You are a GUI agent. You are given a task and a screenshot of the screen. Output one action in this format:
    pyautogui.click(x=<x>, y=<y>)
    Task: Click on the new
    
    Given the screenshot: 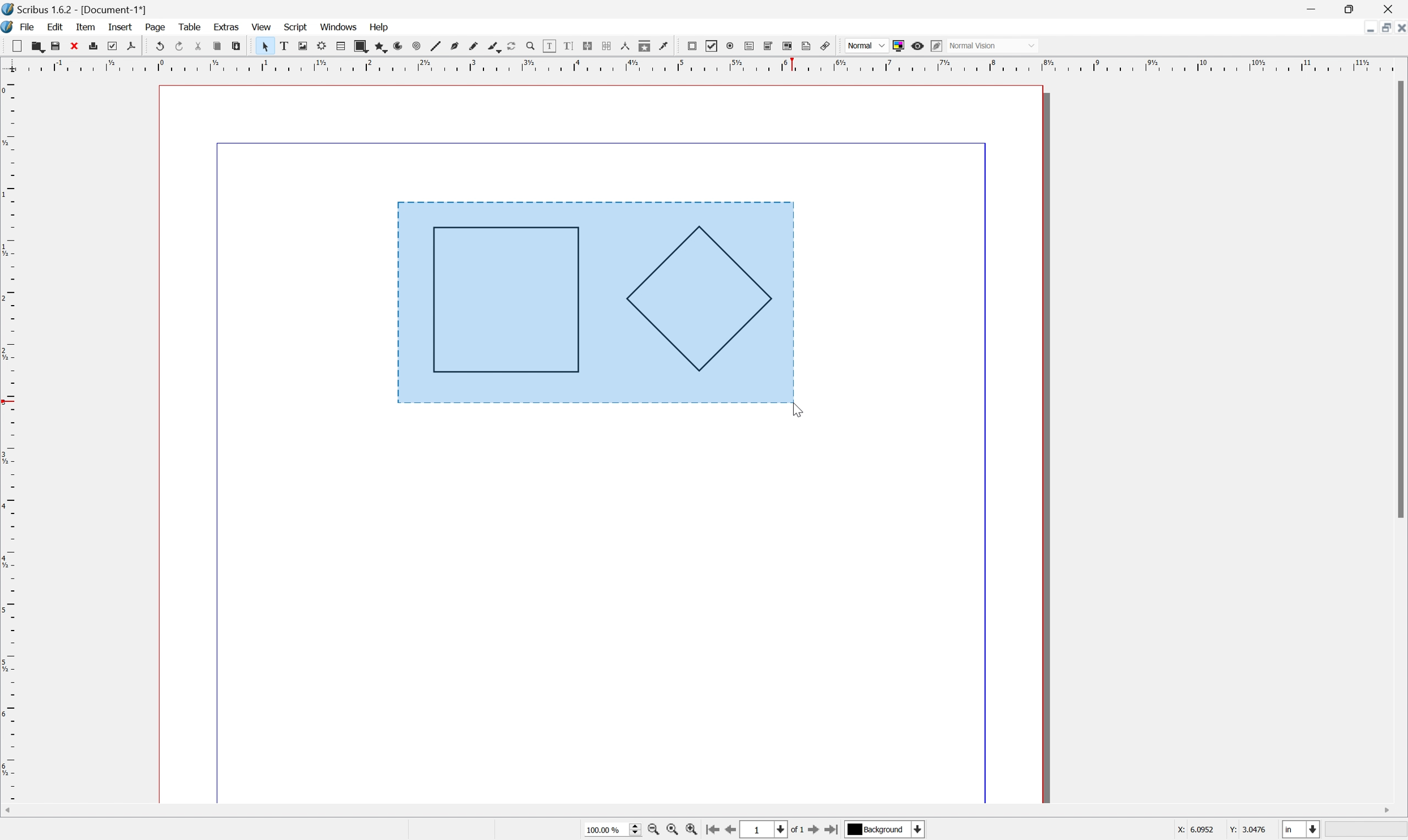 What is the action you would take?
    pyautogui.click(x=12, y=46)
    